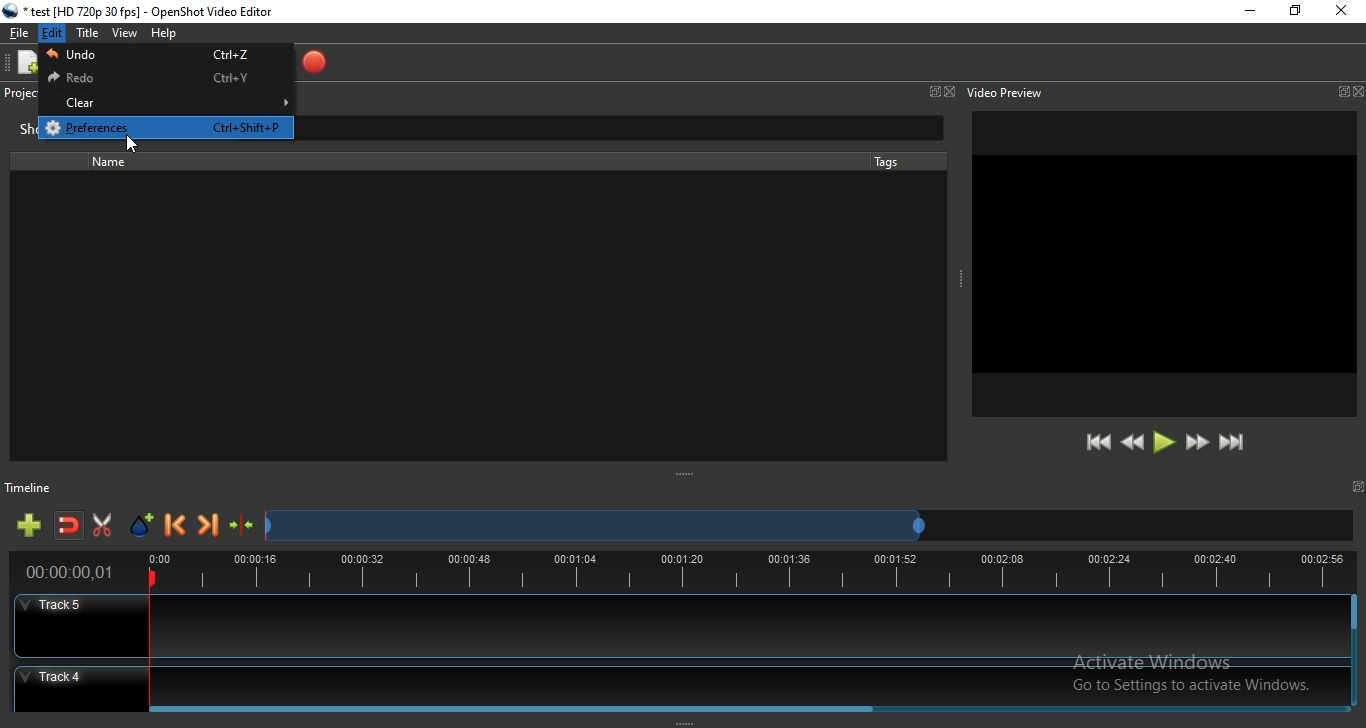 The height and width of the screenshot is (728, 1366). Describe the element at coordinates (1357, 91) in the screenshot. I see `close` at that location.